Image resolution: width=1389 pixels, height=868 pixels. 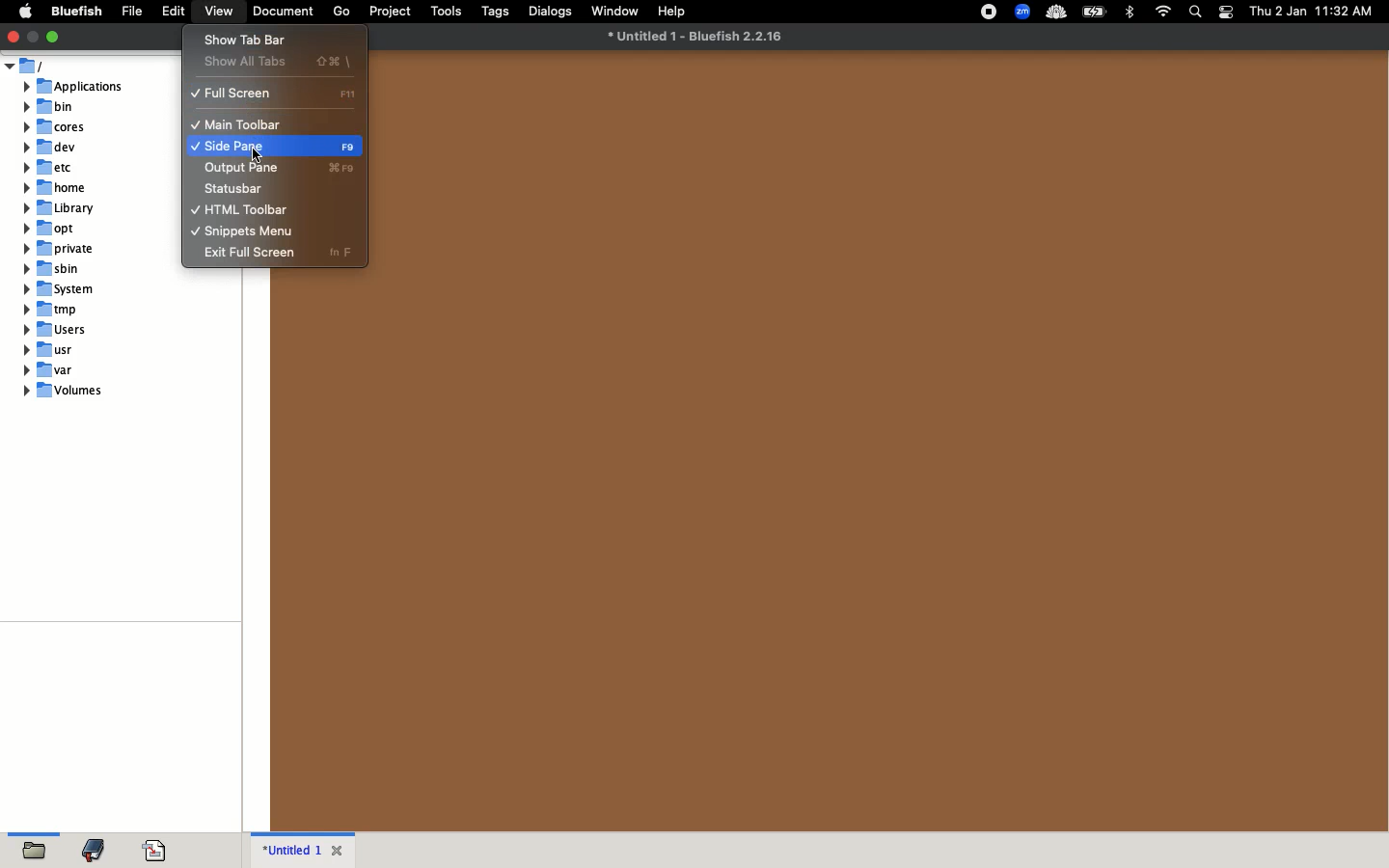 What do you see at coordinates (177, 12) in the screenshot?
I see `edit` at bounding box center [177, 12].